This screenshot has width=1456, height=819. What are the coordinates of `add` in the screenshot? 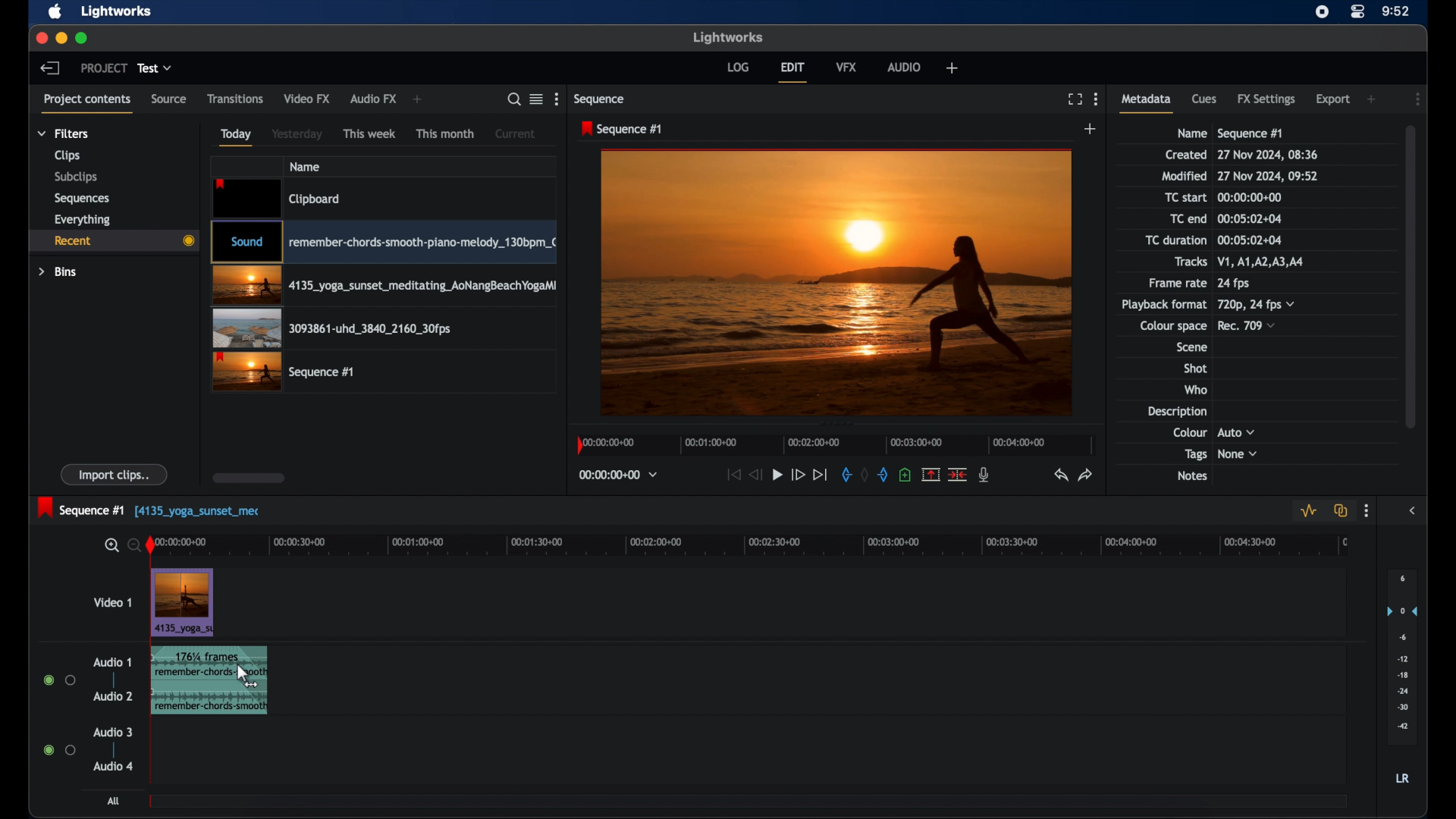 It's located at (1373, 99).